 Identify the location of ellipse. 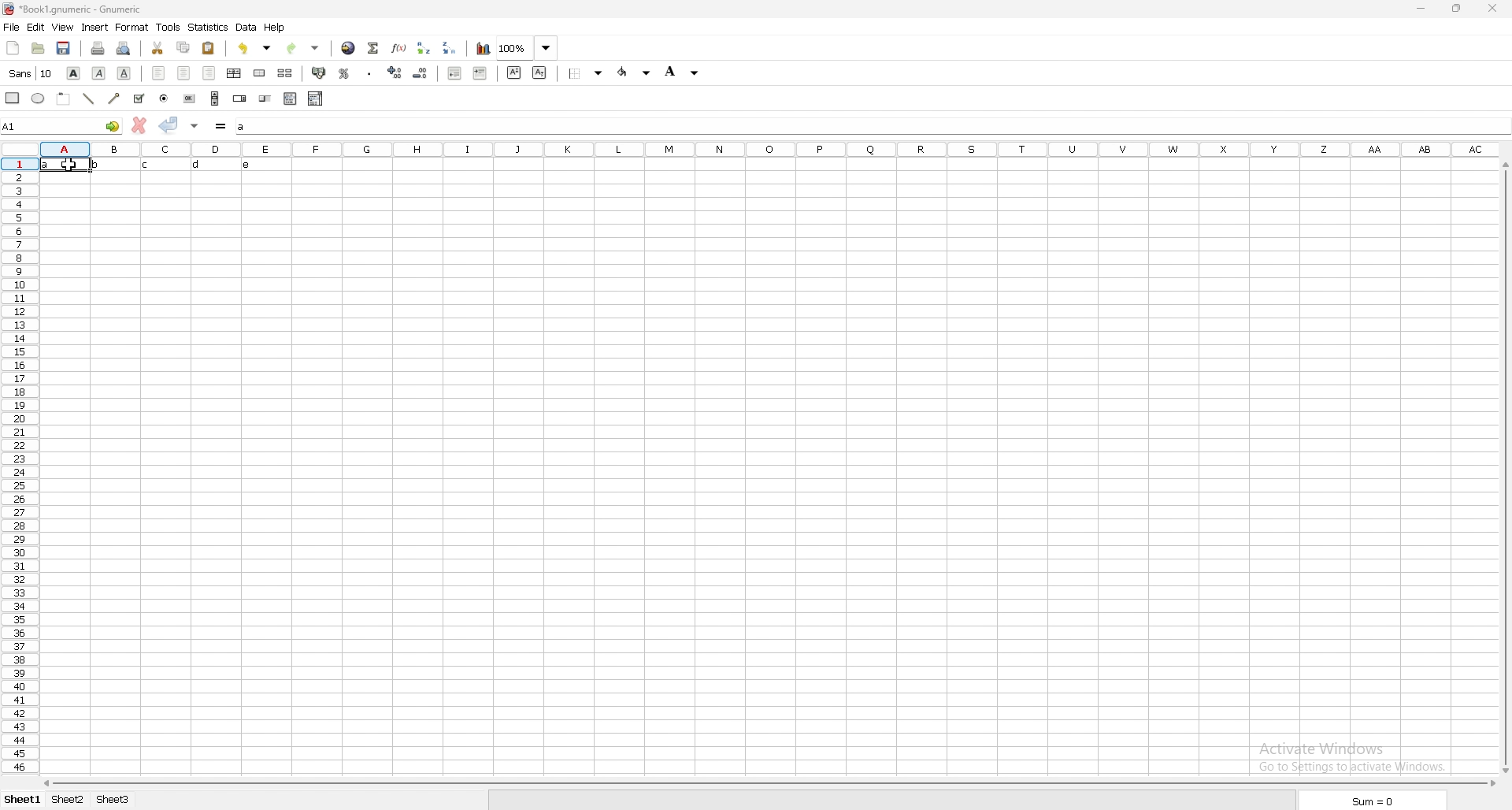
(38, 98).